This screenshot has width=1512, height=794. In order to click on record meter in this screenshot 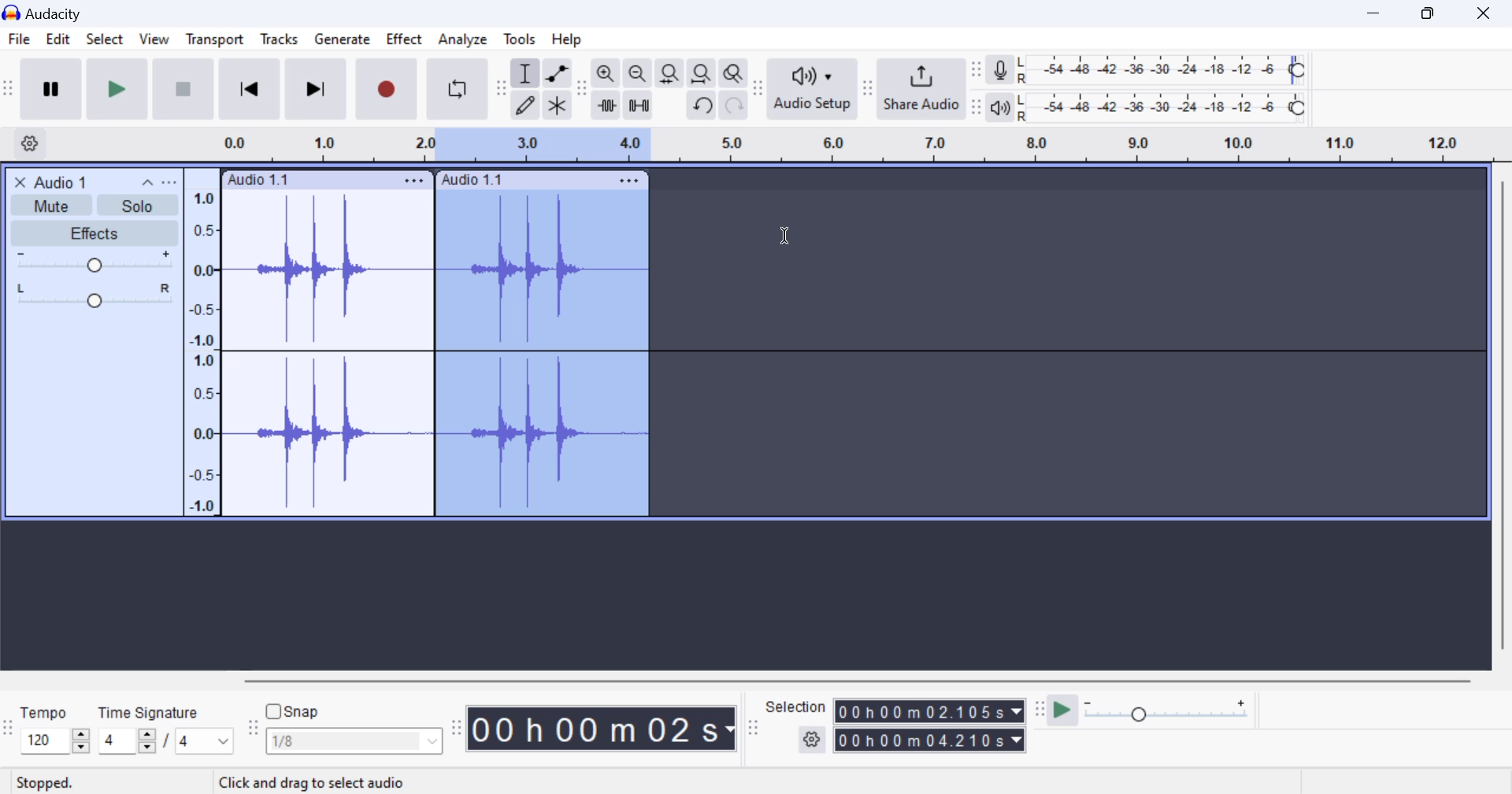, I will do `click(1001, 72)`.